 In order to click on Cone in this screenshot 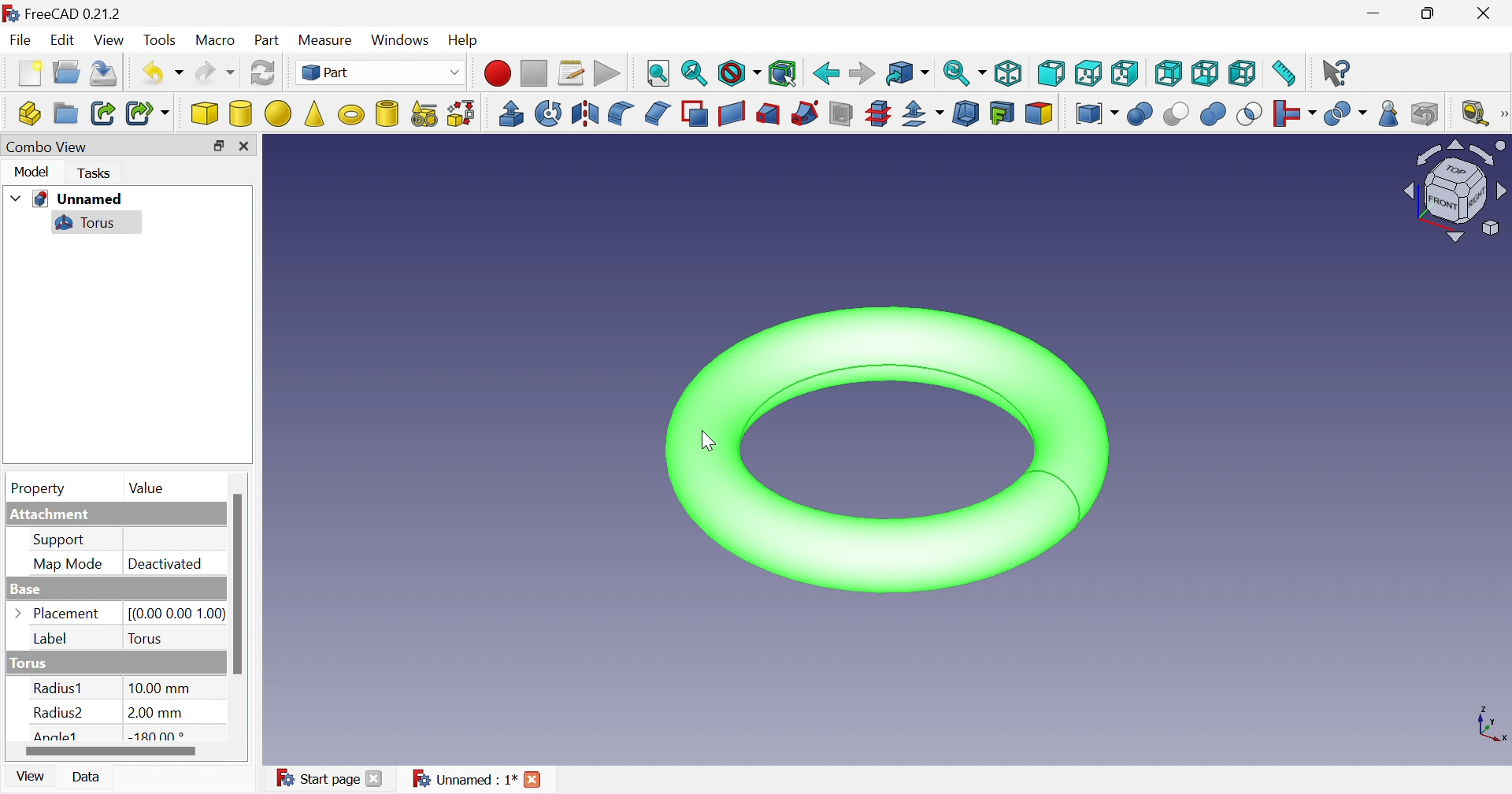, I will do `click(314, 114)`.